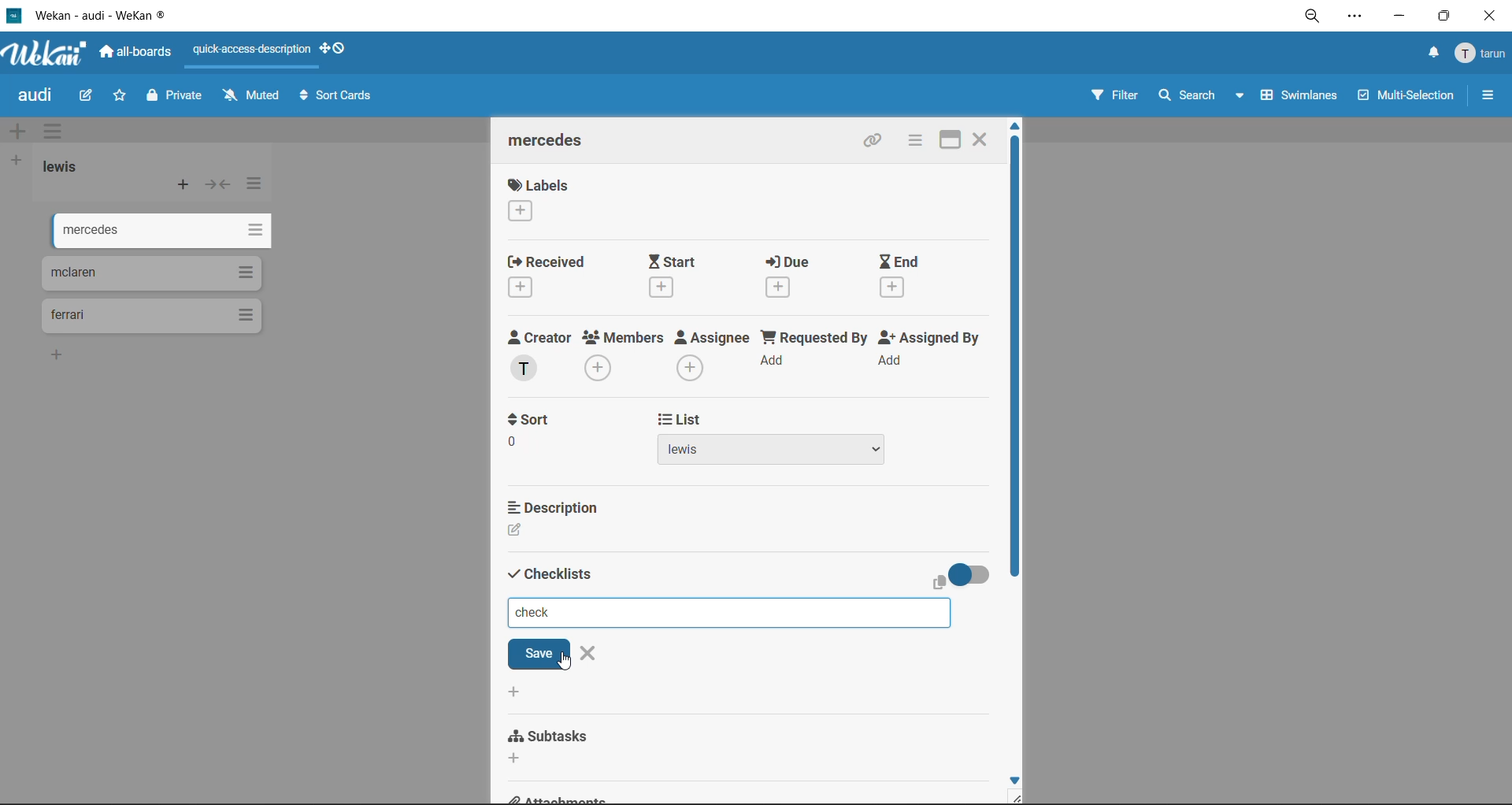 Image resolution: width=1512 pixels, height=805 pixels. Describe the element at coordinates (568, 744) in the screenshot. I see `subtasks` at that location.